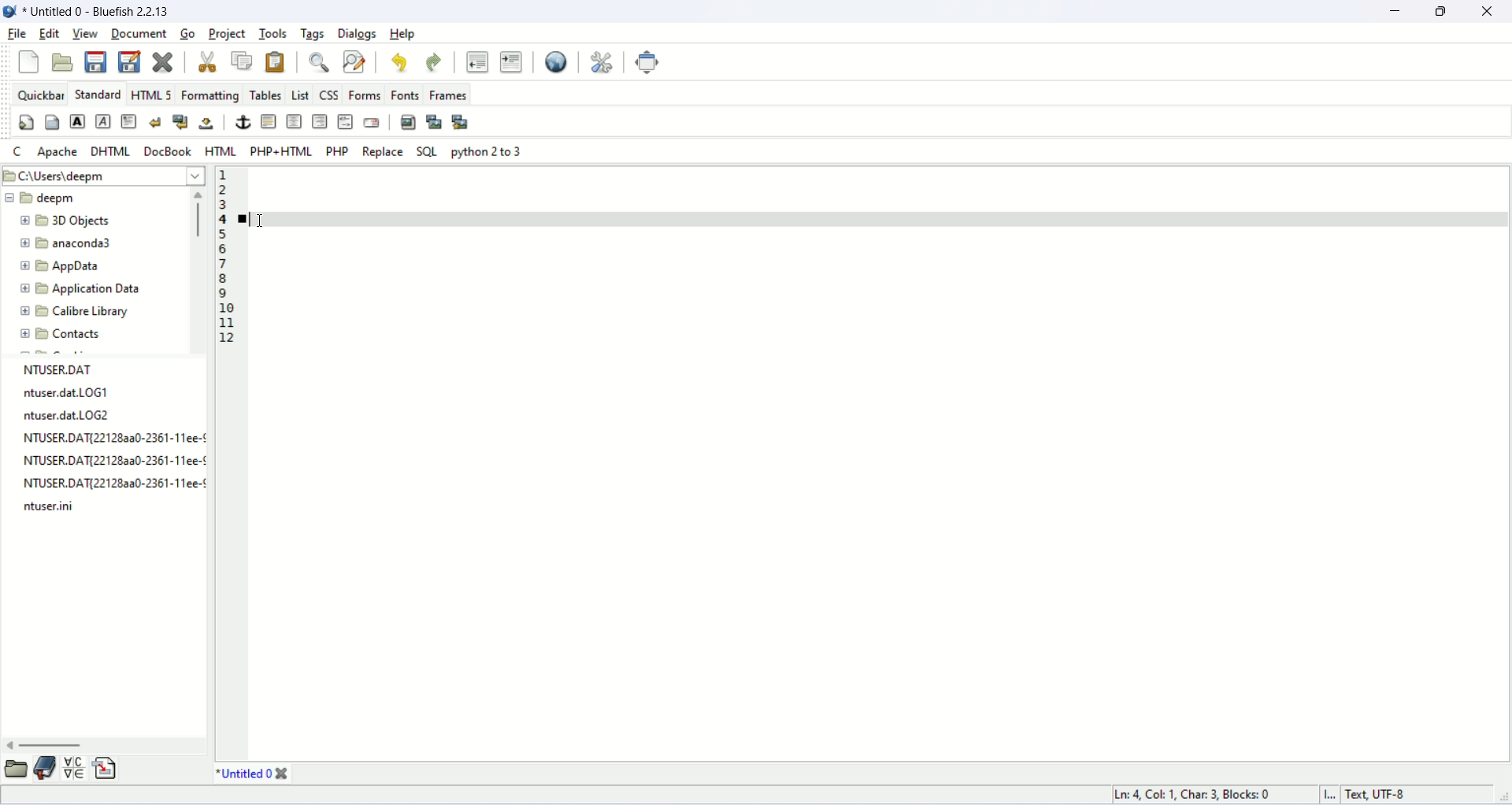  Describe the element at coordinates (314, 35) in the screenshot. I see `tags` at that location.